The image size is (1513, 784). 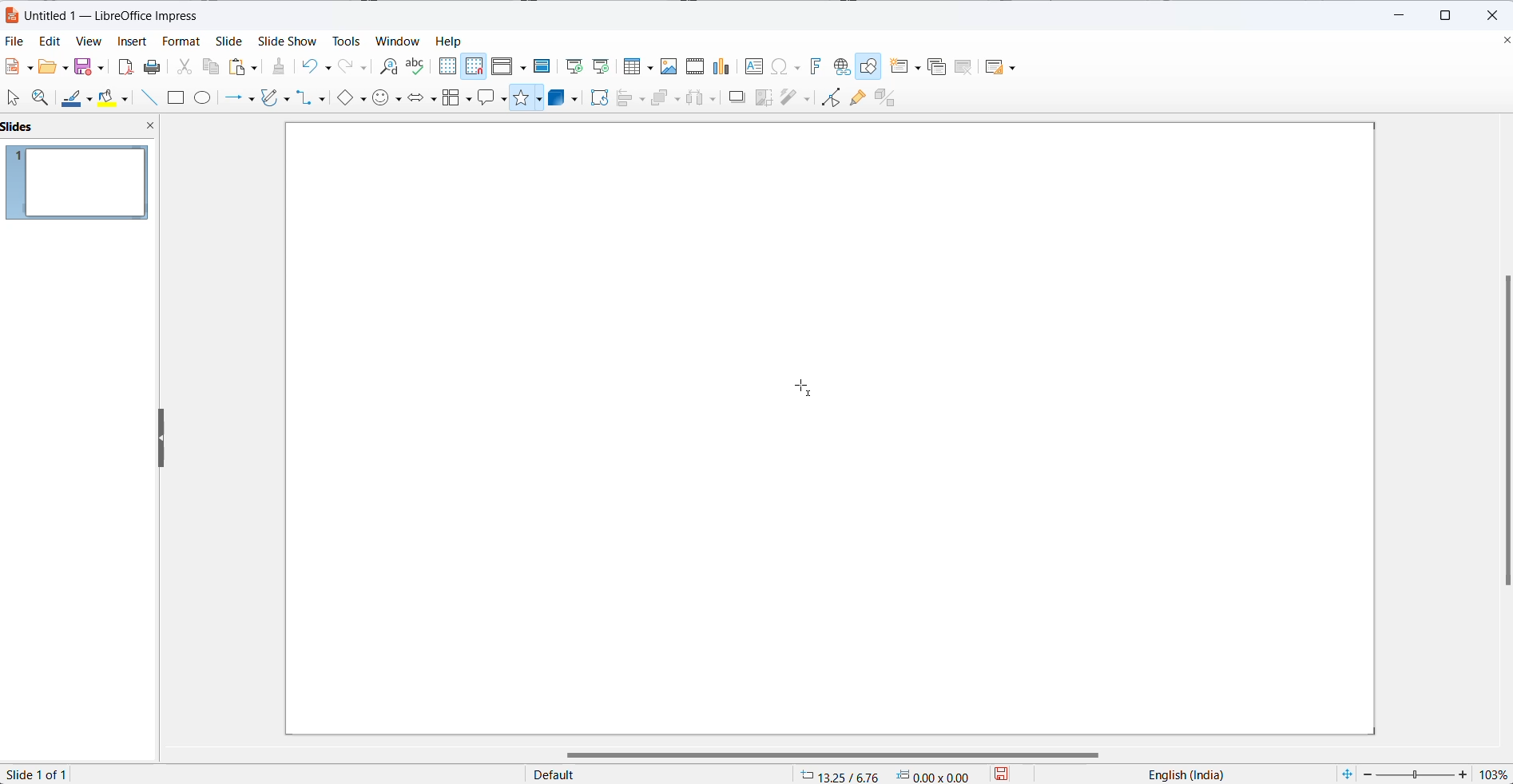 What do you see at coordinates (43, 97) in the screenshot?
I see `zoom and pan` at bounding box center [43, 97].